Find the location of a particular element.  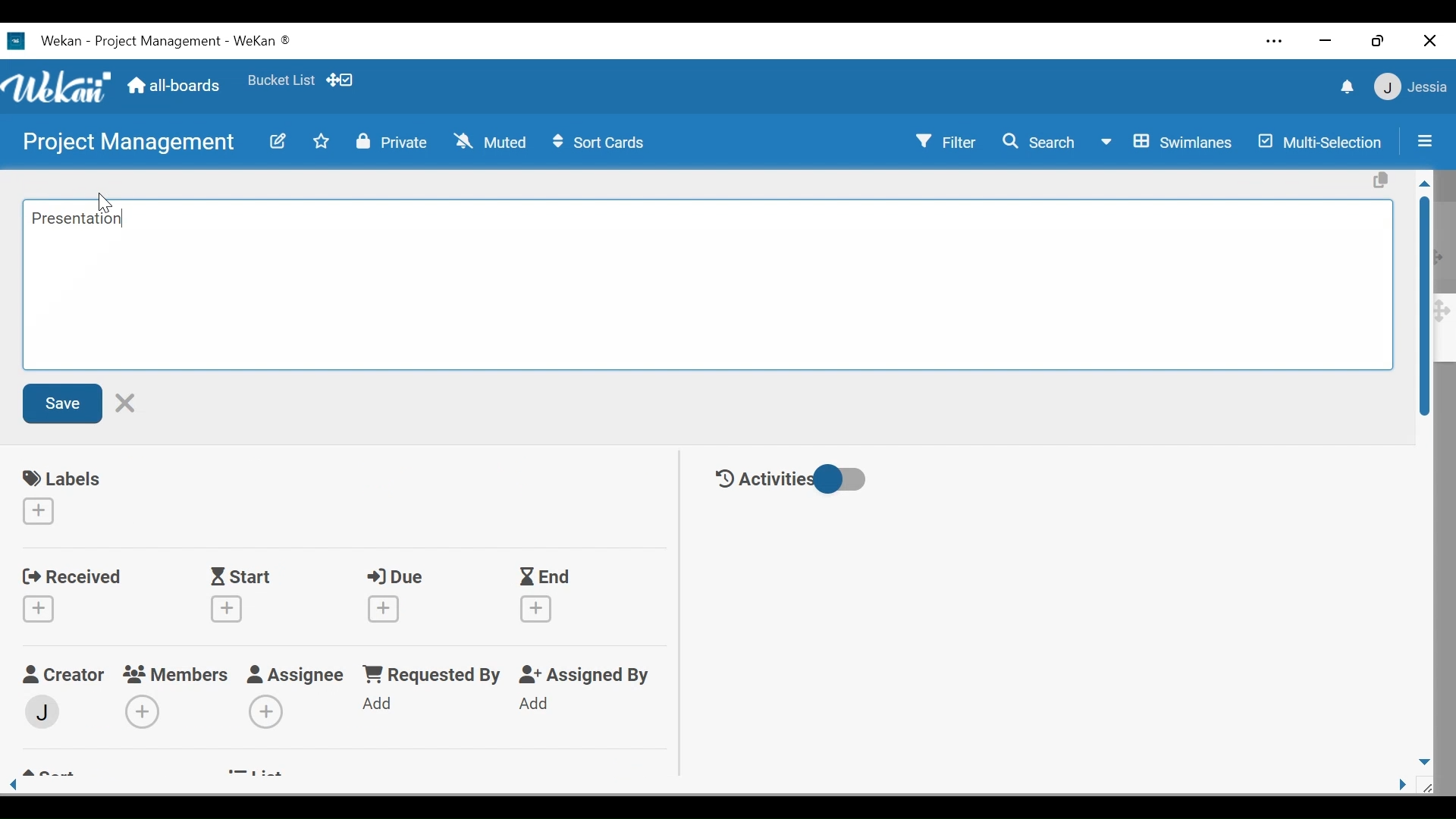

Members is located at coordinates (177, 673).